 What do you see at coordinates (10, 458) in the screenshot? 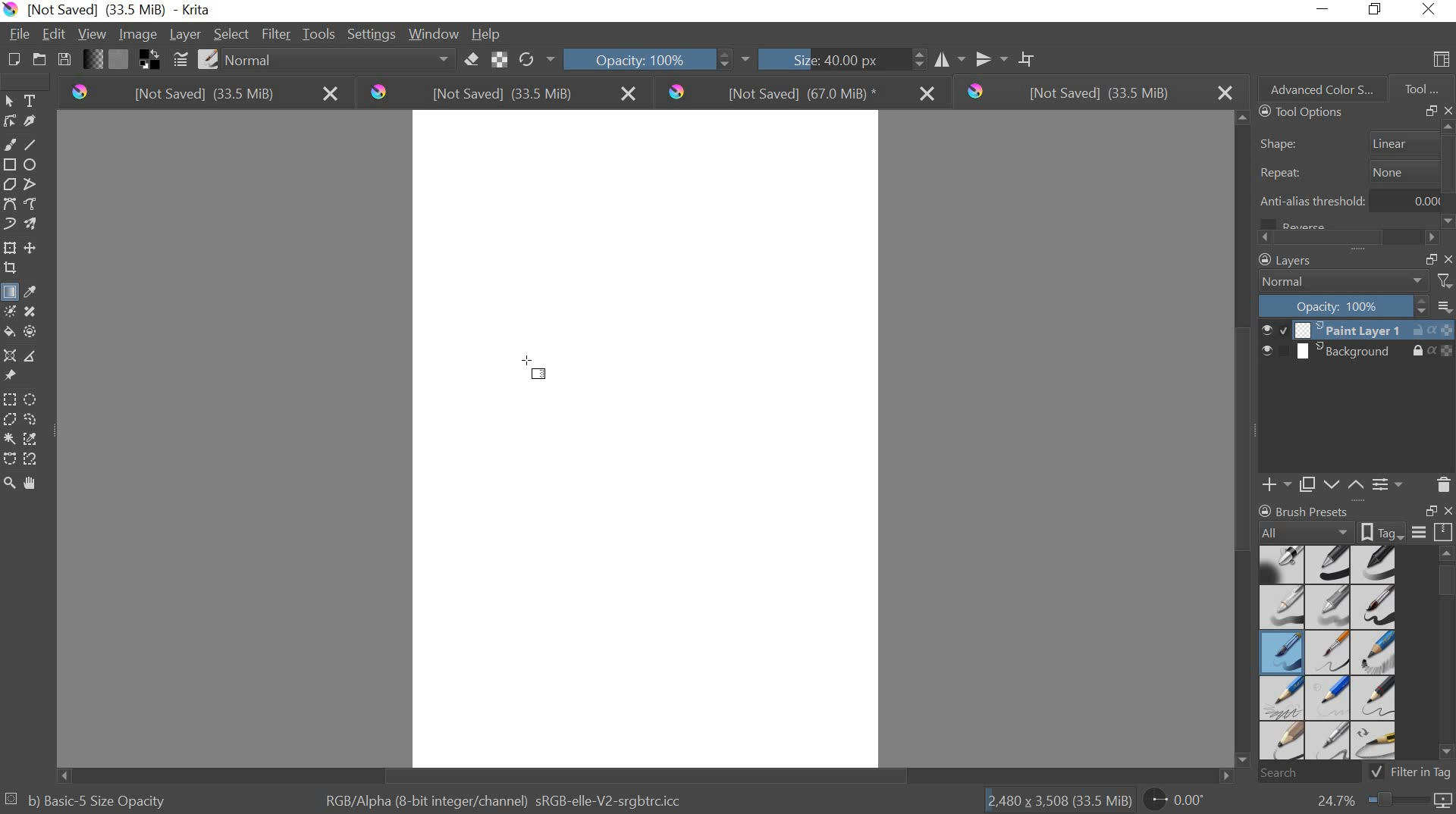
I see `bezier curve` at bounding box center [10, 458].